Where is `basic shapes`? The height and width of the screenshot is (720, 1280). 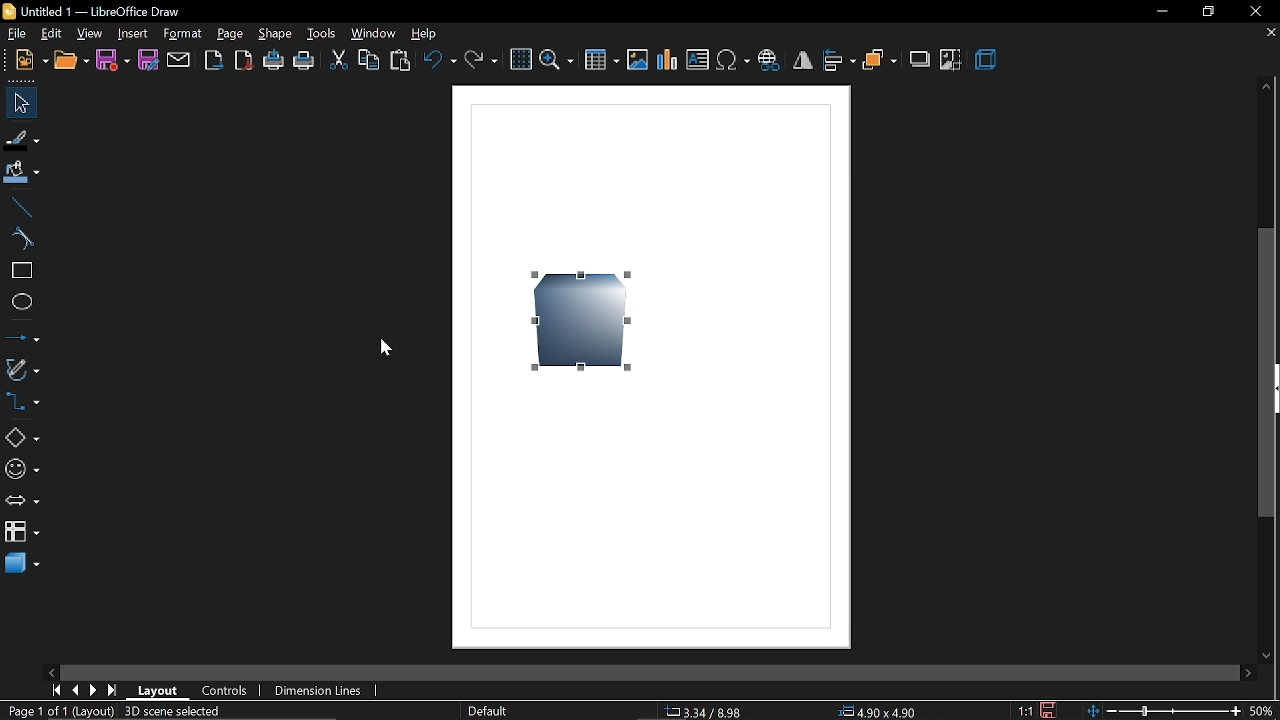 basic shapes is located at coordinates (22, 436).